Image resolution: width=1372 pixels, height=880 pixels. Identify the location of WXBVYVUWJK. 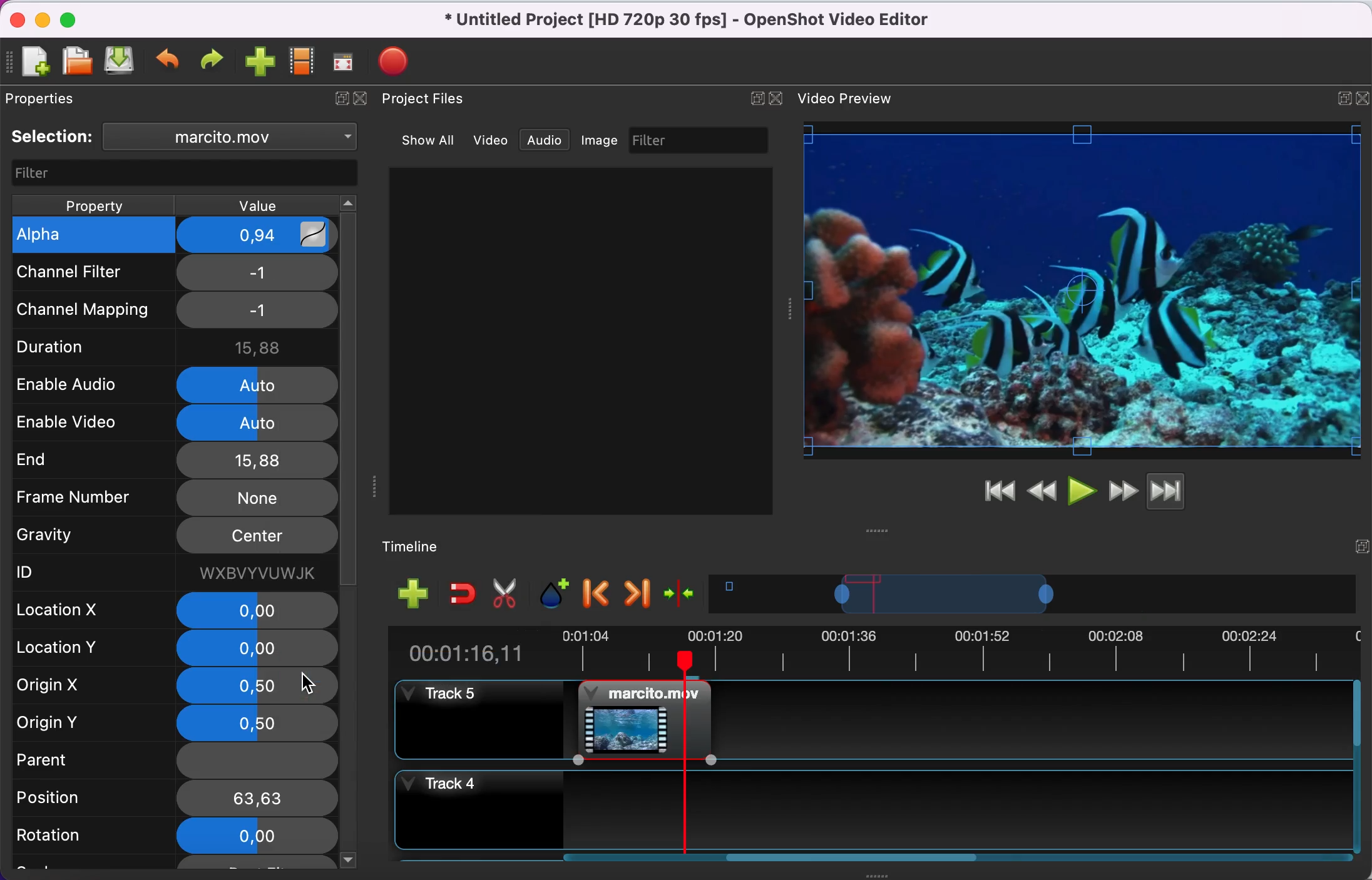
(255, 573).